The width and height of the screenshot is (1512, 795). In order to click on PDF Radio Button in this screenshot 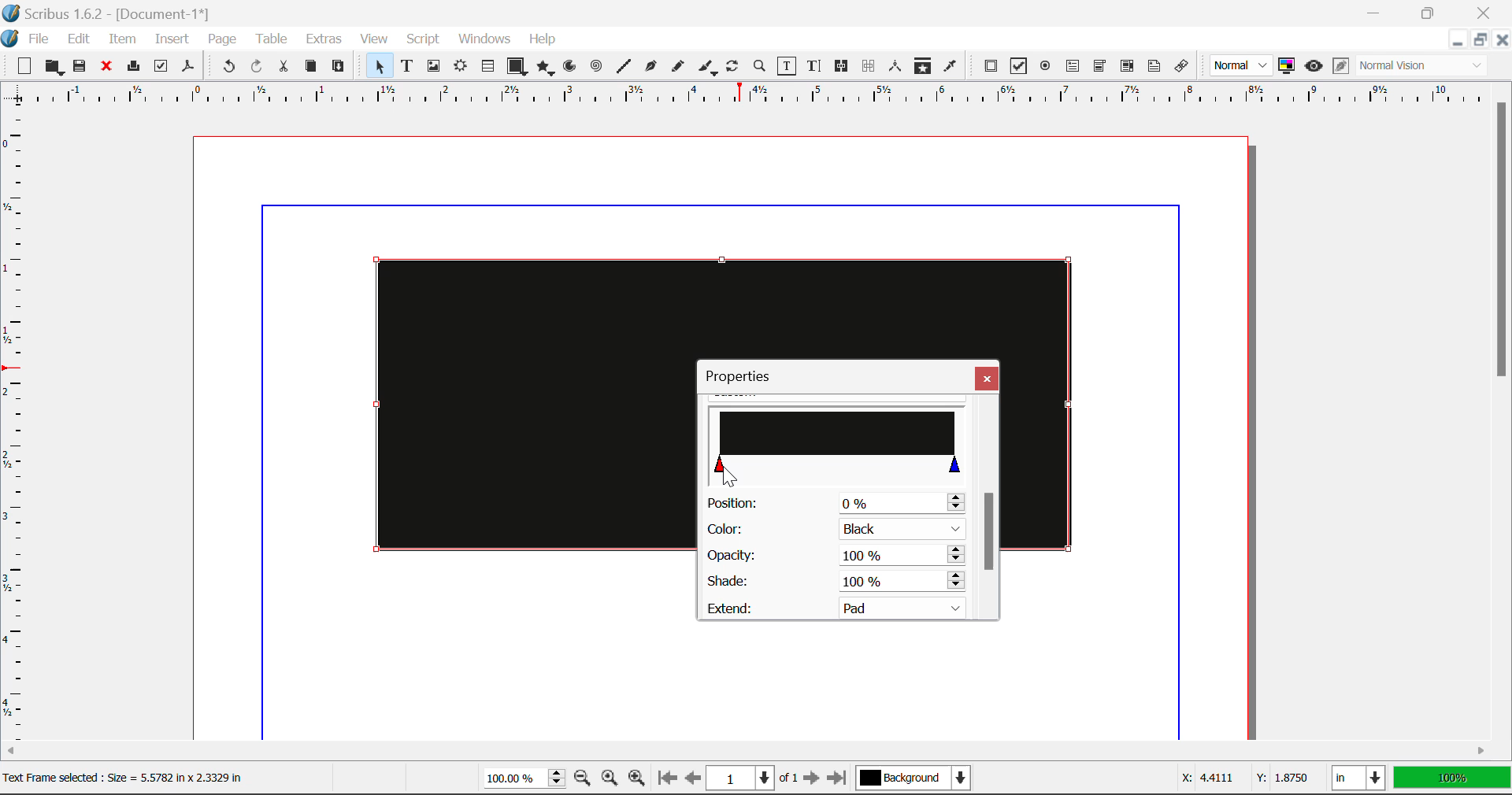, I will do `click(1045, 68)`.